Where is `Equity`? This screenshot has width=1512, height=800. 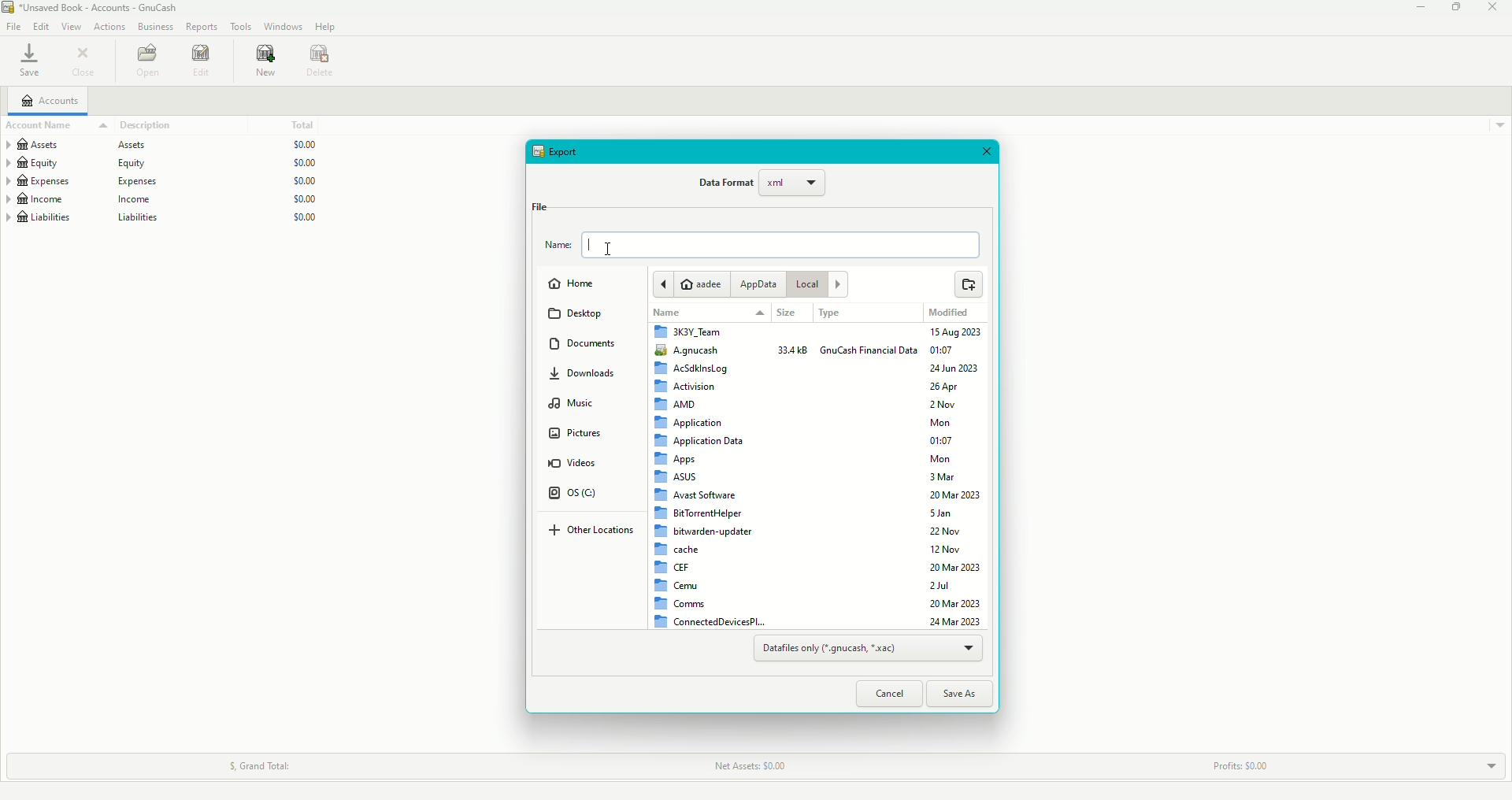
Equity is located at coordinates (172, 161).